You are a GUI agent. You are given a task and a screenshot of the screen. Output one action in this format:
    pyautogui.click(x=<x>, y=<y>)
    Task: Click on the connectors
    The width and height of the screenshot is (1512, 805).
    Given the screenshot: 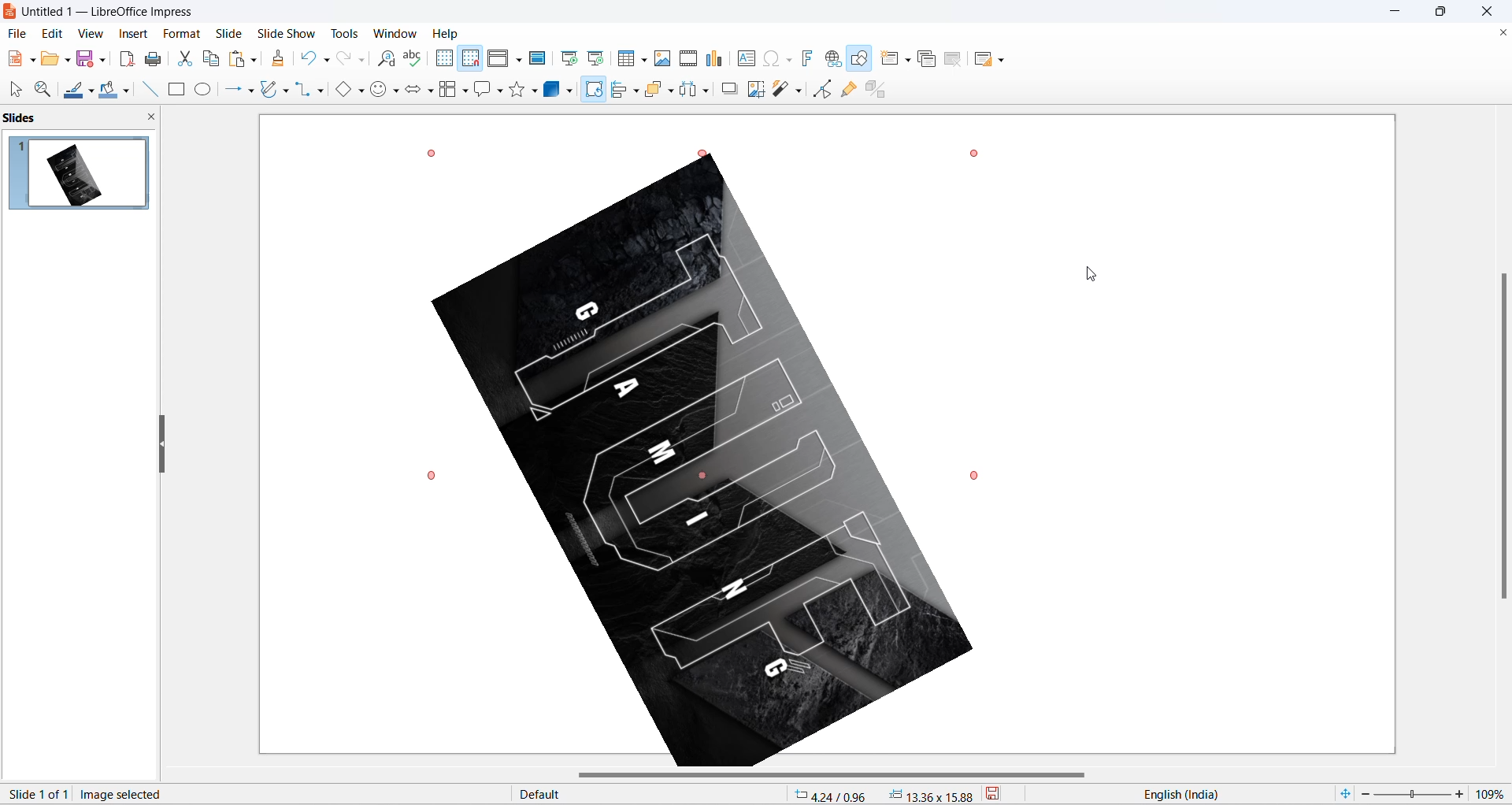 What is the action you would take?
    pyautogui.click(x=303, y=90)
    